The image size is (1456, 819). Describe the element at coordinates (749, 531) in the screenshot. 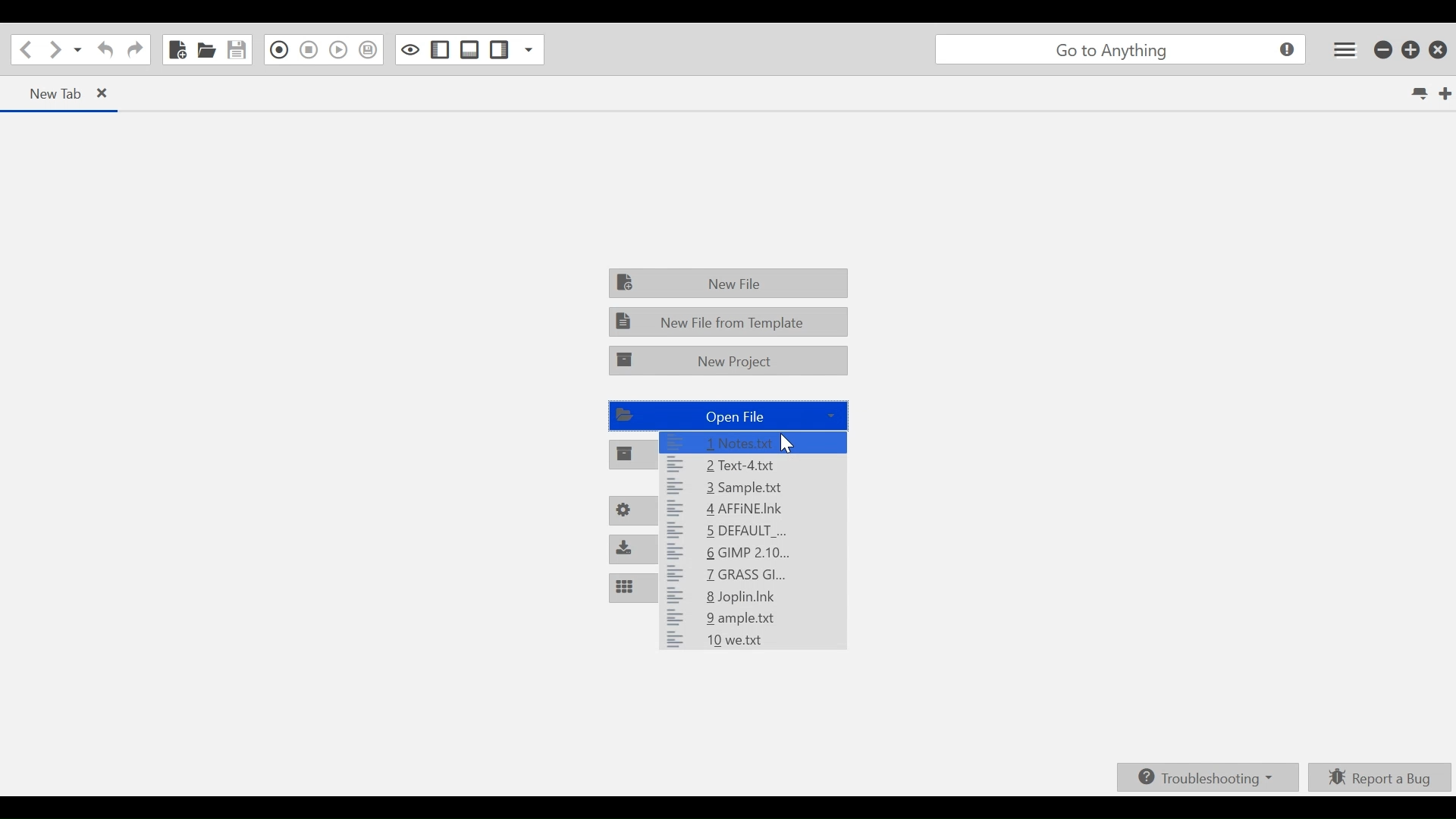

I see `5 DEFAULT _...` at that location.